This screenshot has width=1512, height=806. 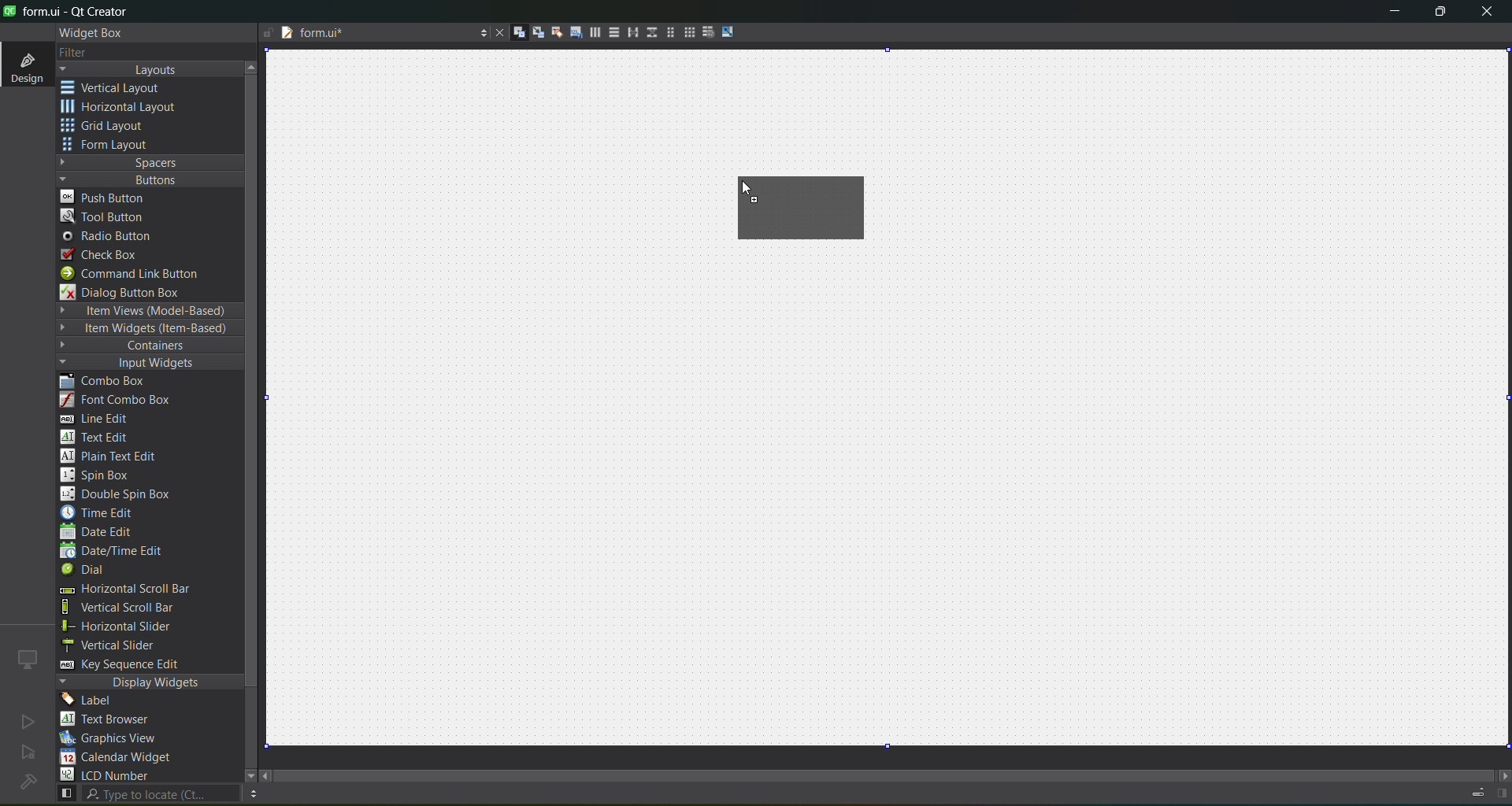 What do you see at coordinates (118, 759) in the screenshot?
I see `calendar` at bounding box center [118, 759].